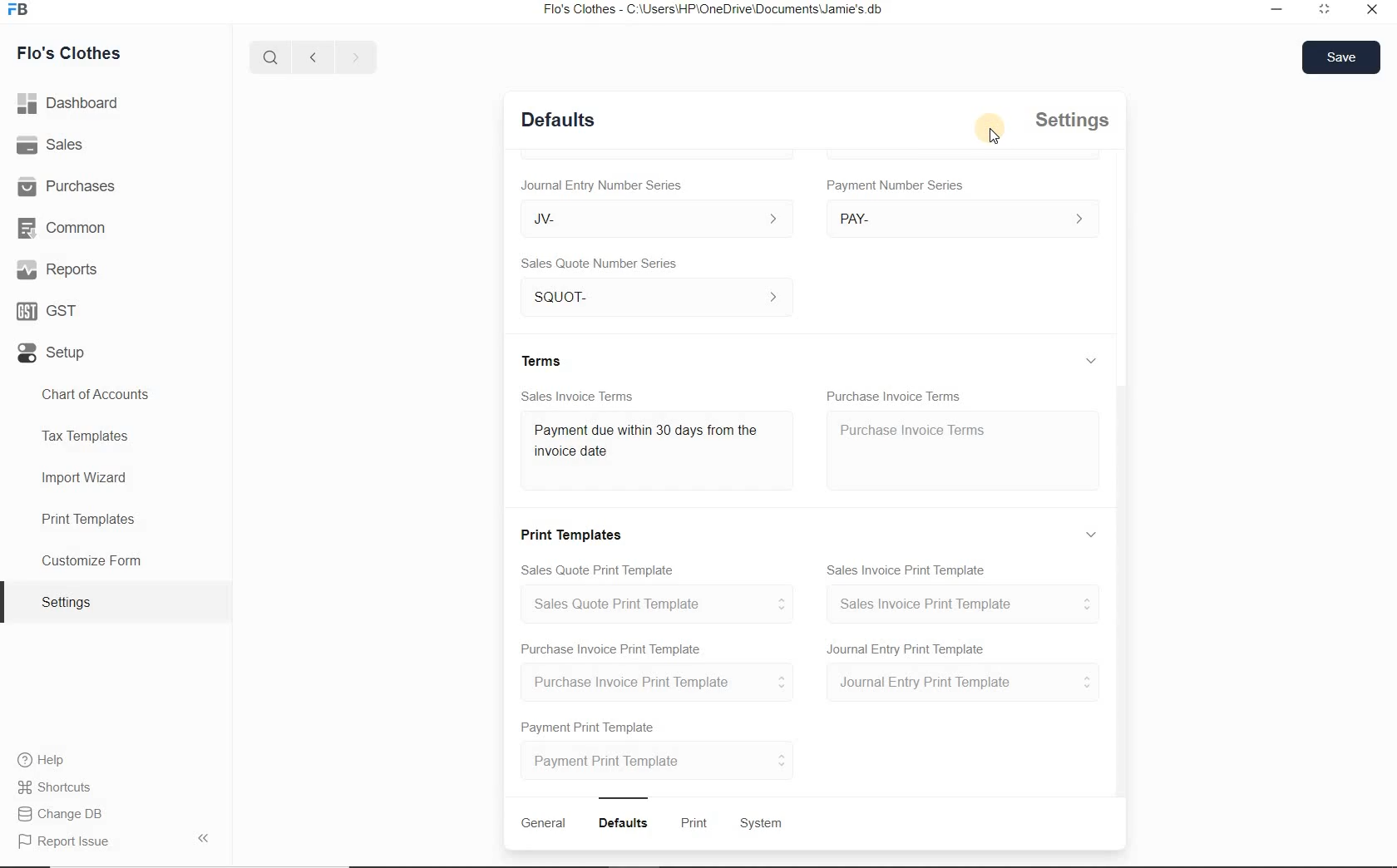  I want to click on Dashboard, so click(69, 103).